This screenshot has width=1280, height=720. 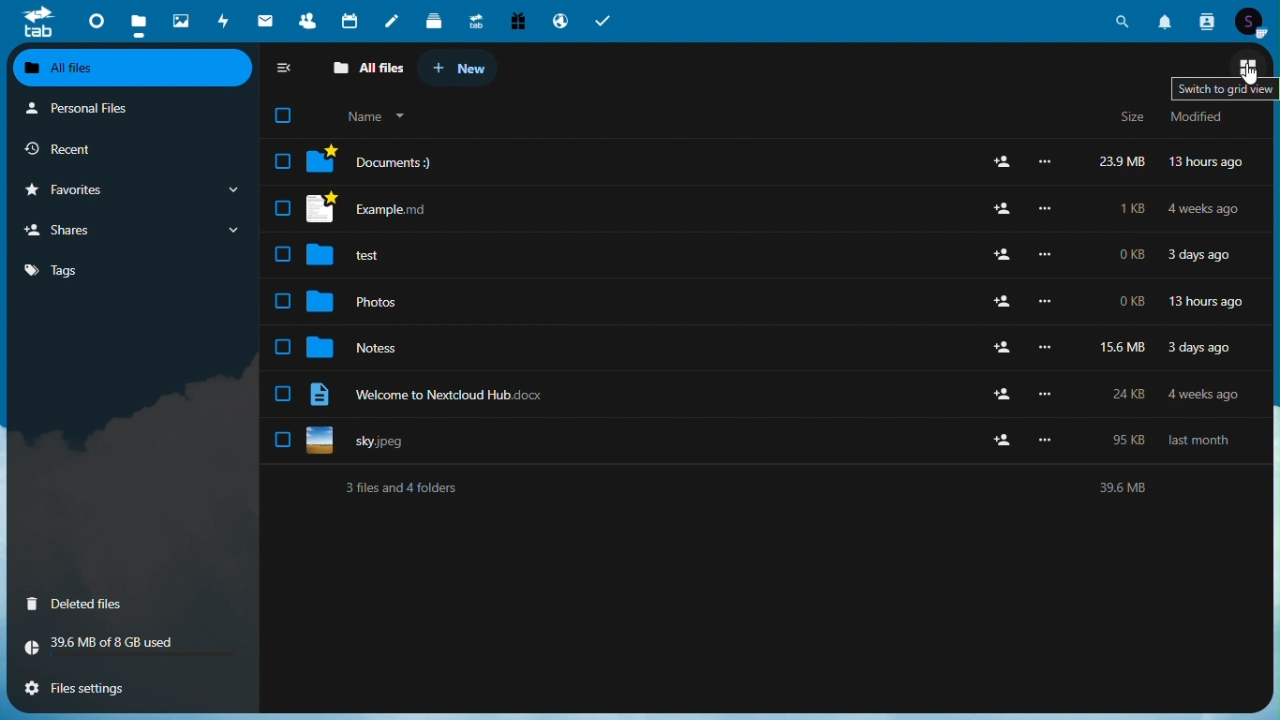 I want to click on , so click(x=1051, y=394).